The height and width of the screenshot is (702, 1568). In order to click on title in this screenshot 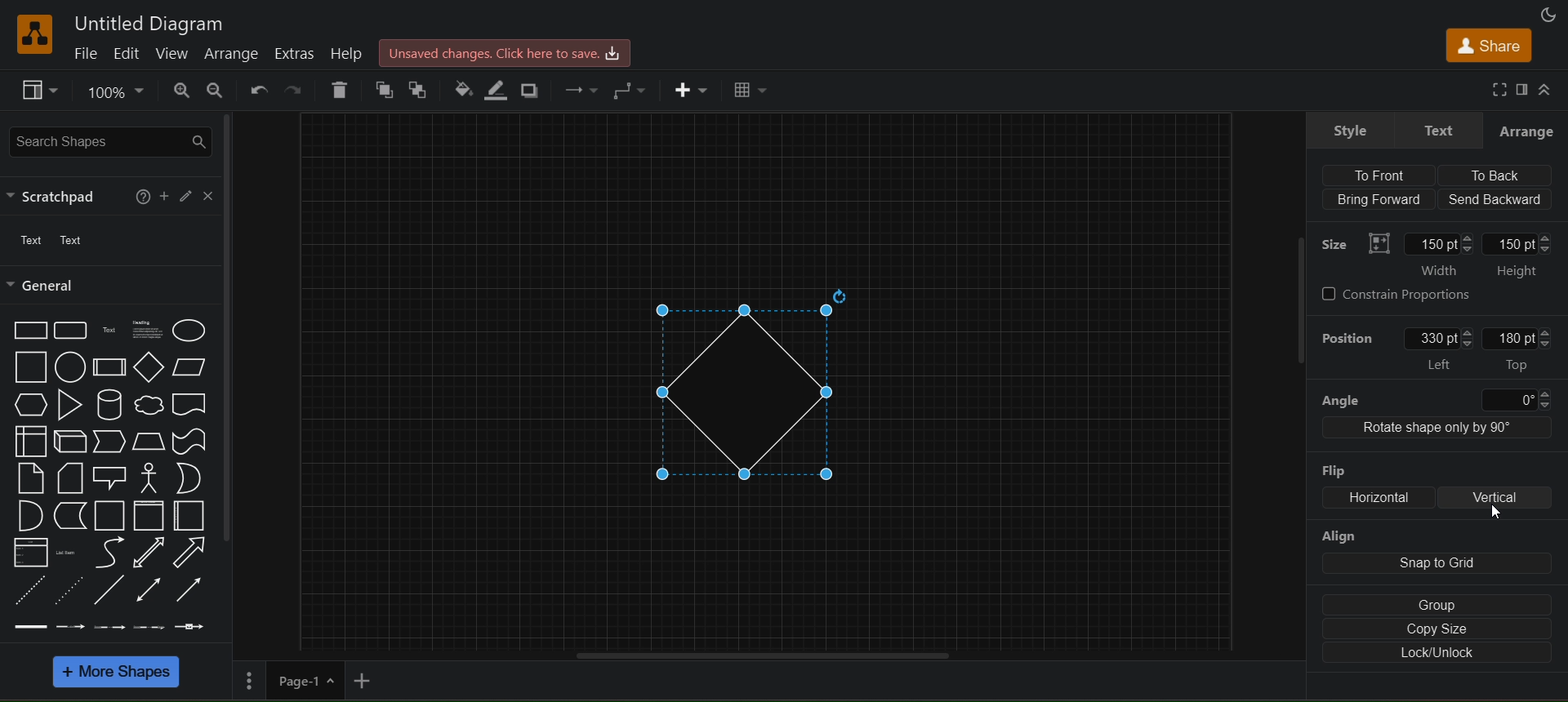, I will do `click(145, 20)`.